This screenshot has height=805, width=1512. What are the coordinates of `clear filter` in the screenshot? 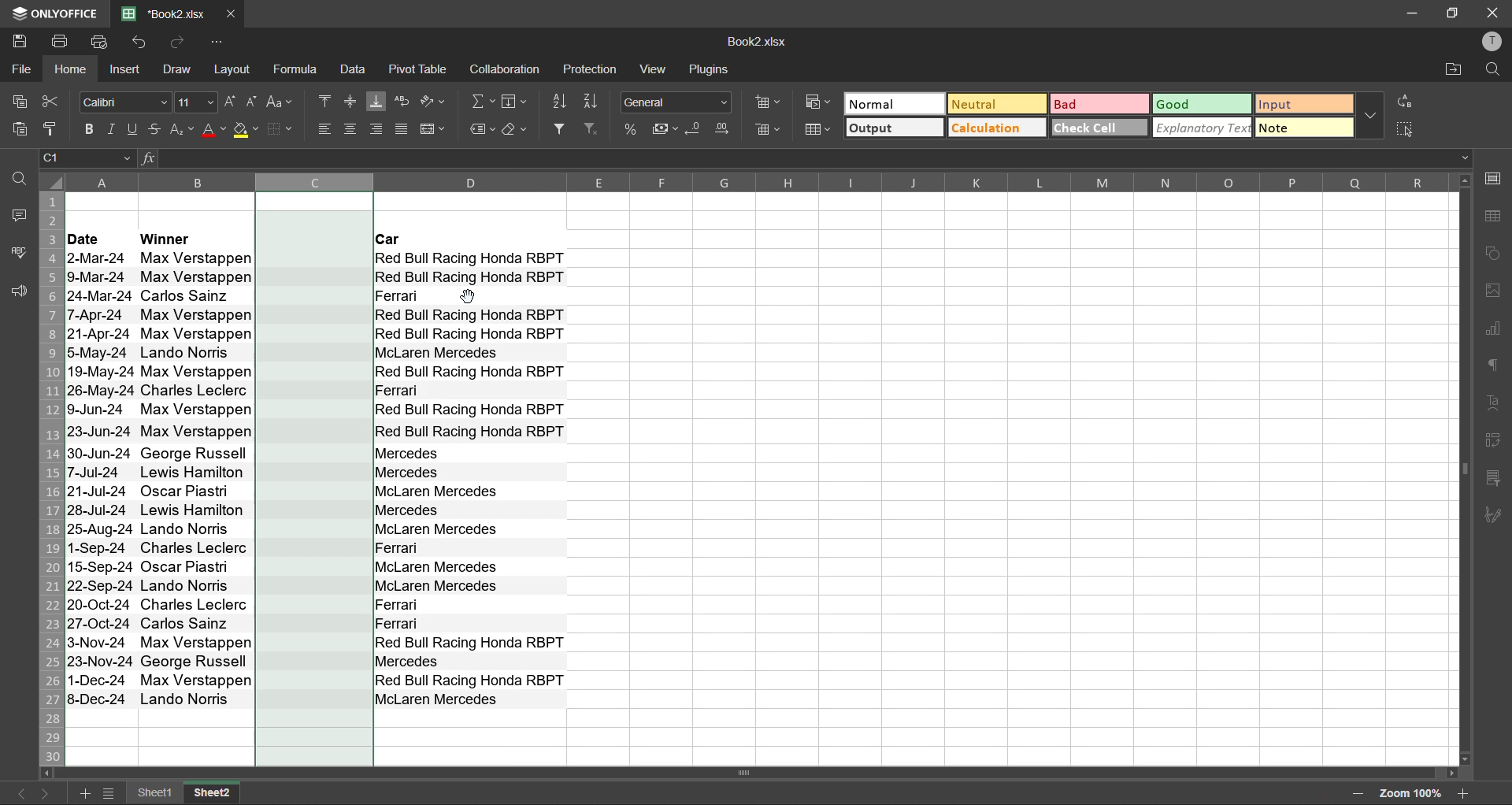 It's located at (594, 132).